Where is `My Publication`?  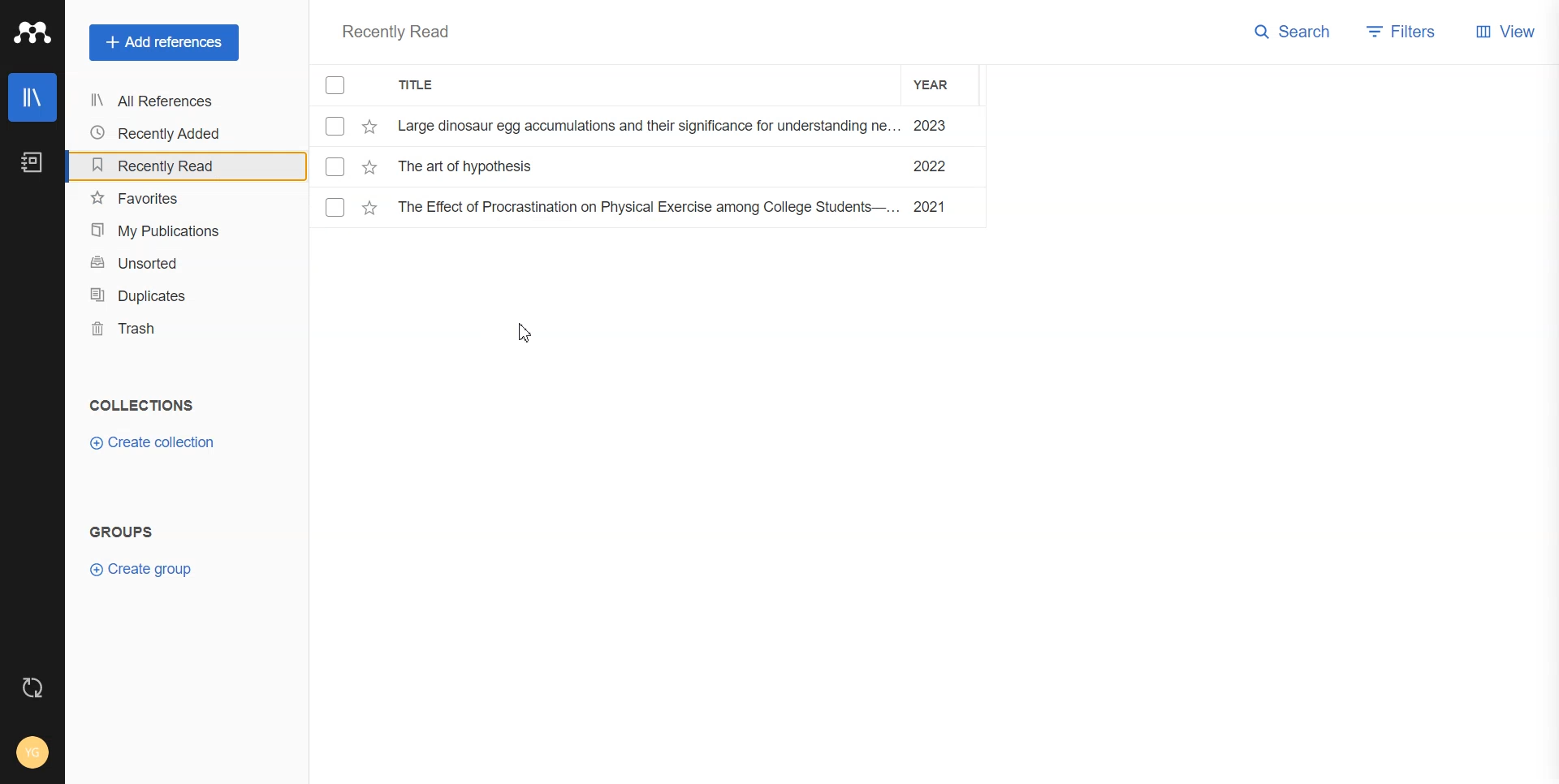 My Publication is located at coordinates (168, 231).